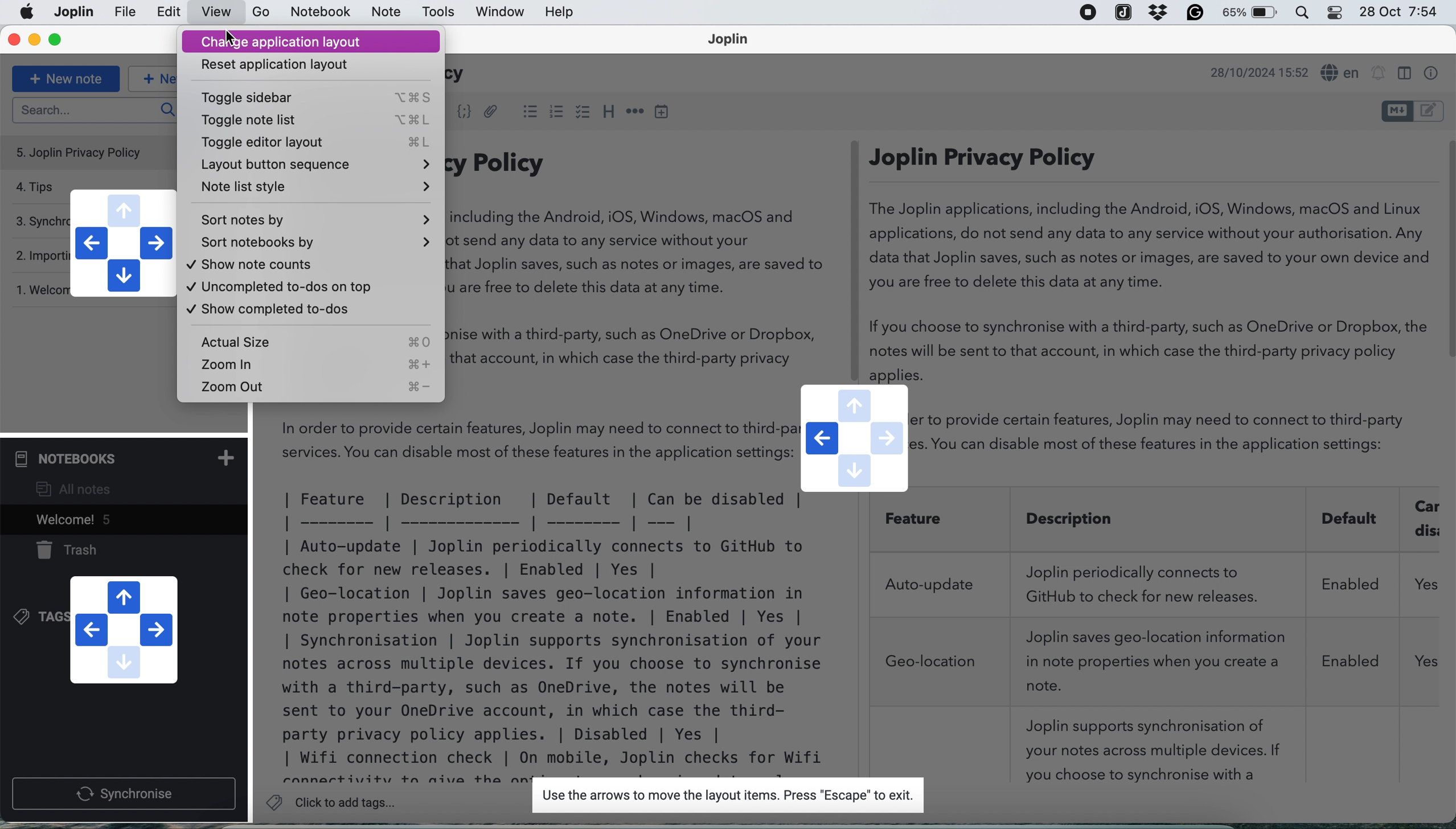  Describe the element at coordinates (13, 40) in the screenshot. I see `close` at that location.